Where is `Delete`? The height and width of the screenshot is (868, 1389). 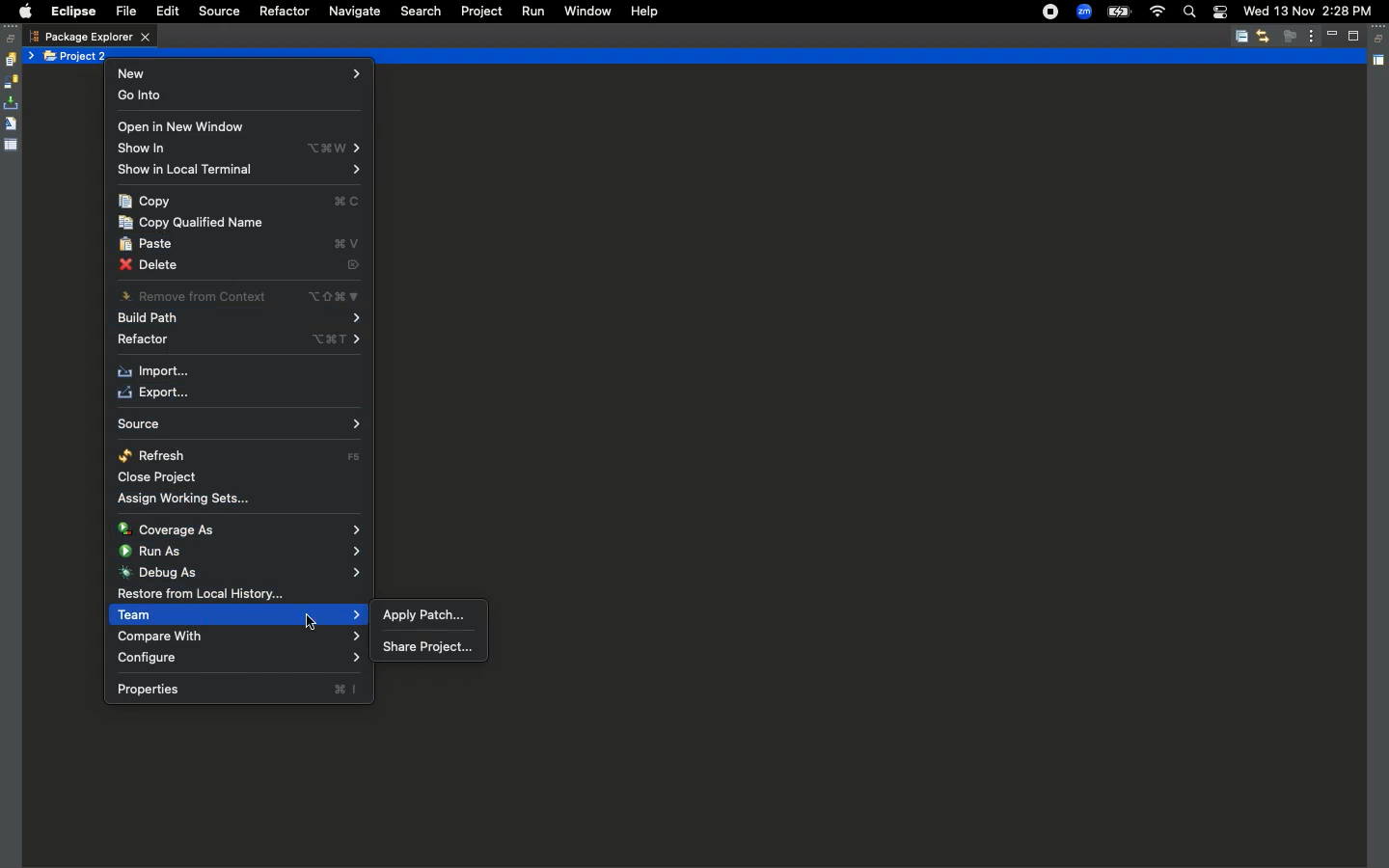 Delete is located at coordinates (239, 268).